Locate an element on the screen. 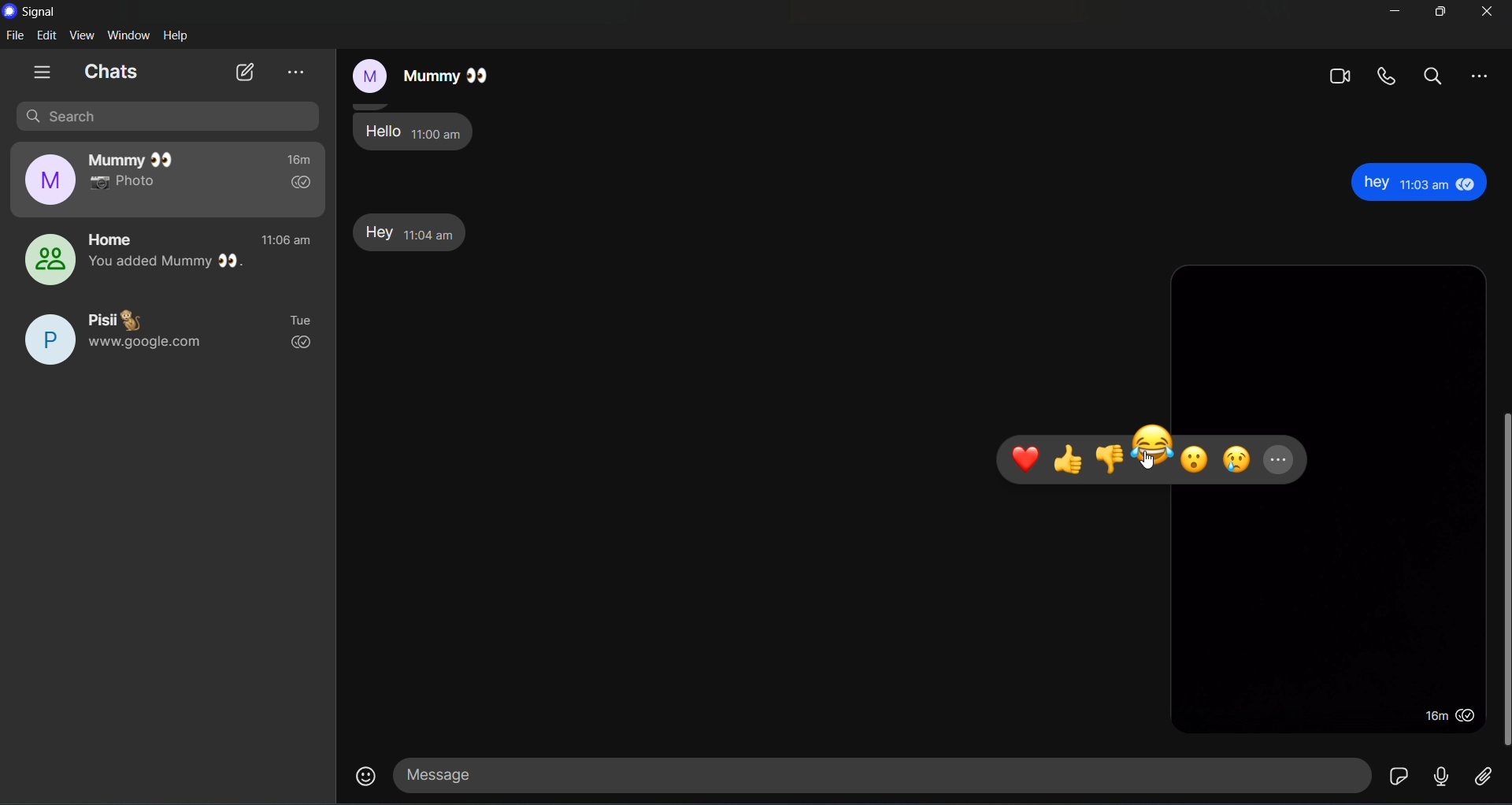  calls is located at coordinates (1384, 76).